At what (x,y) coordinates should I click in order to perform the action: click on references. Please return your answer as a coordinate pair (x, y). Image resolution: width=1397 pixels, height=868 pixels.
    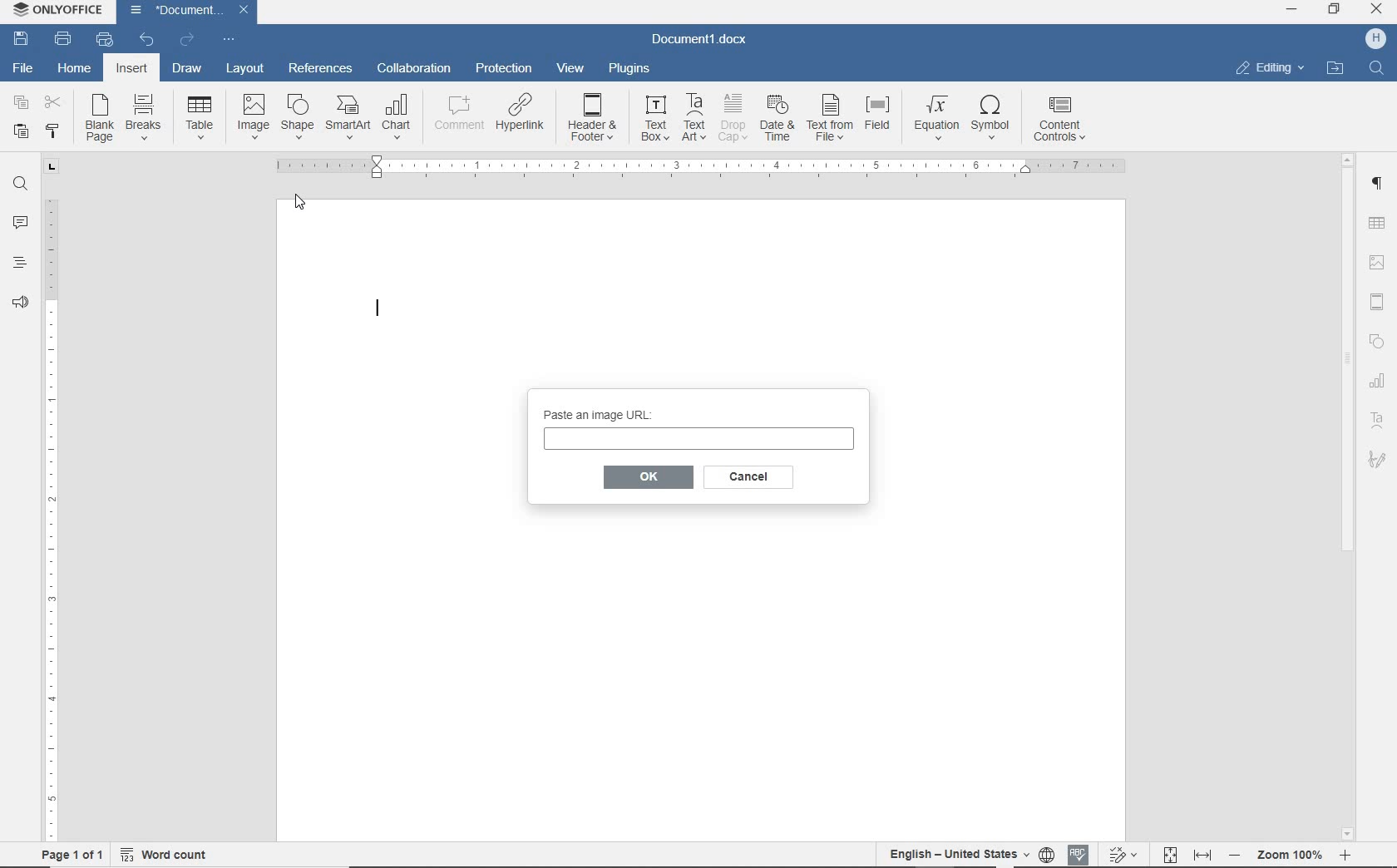
    Looking at the image, I should click on (322, 69).